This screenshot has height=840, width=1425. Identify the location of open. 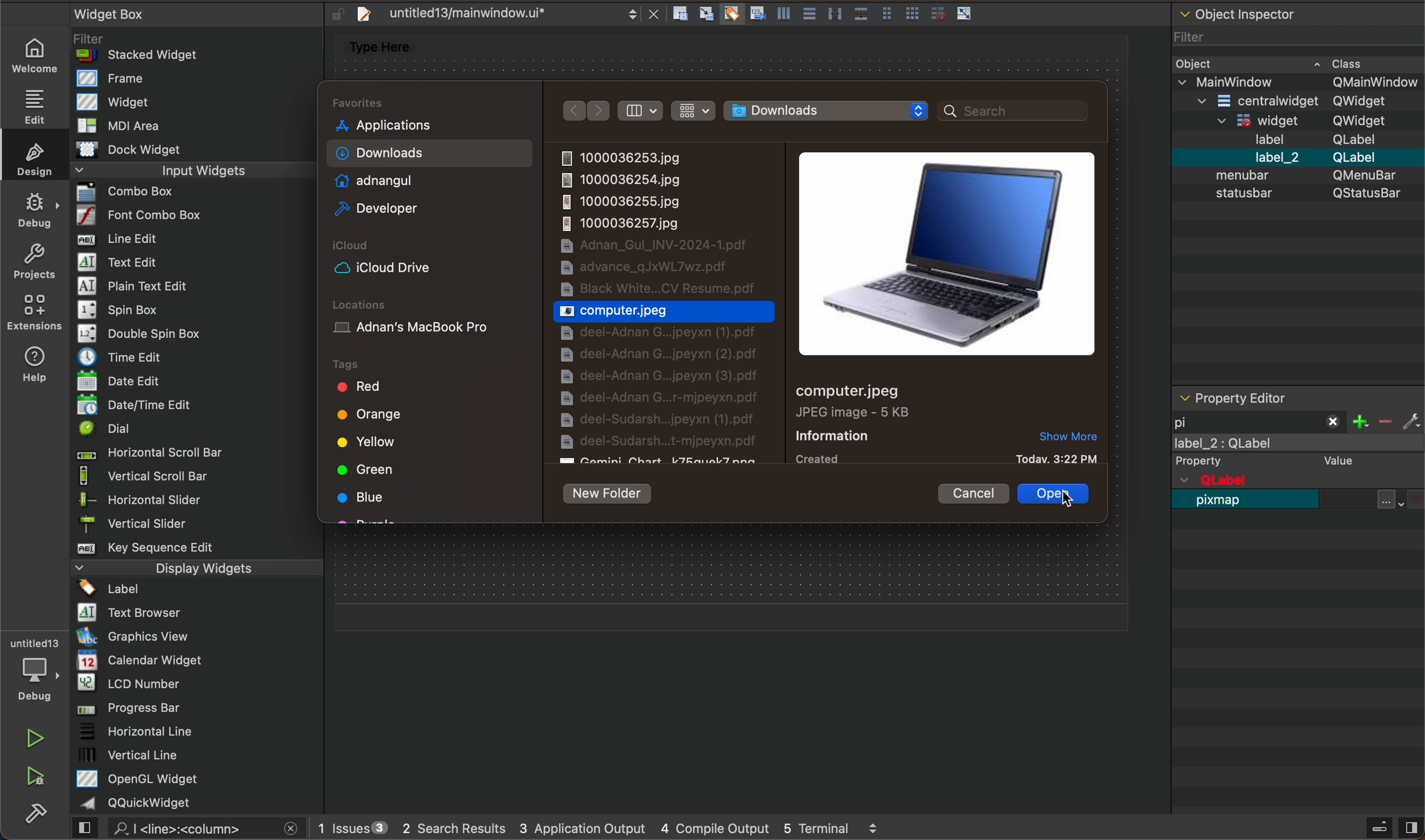
(1058, 496).